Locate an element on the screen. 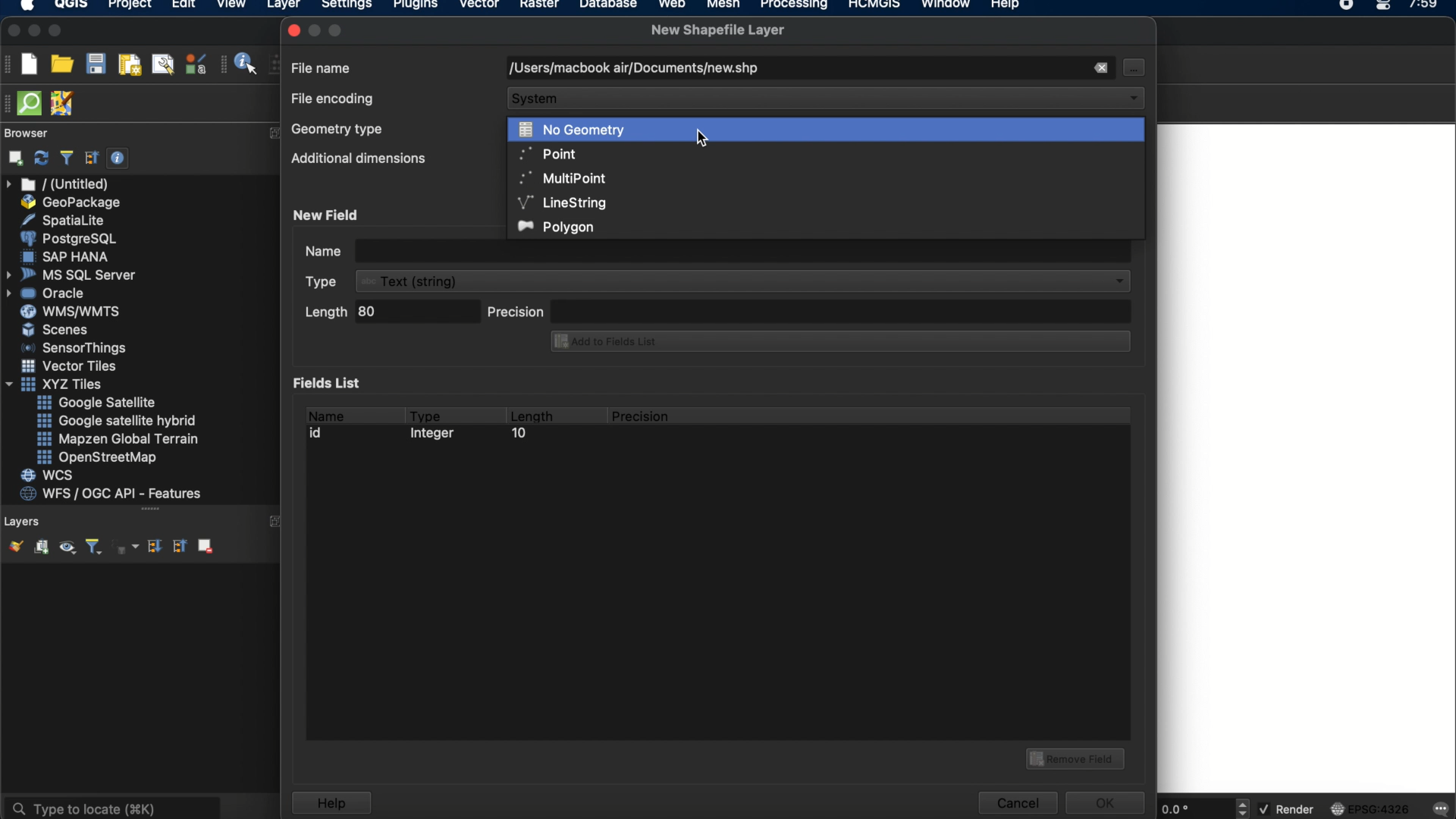  was/wmts is located at coordinates (72, 312).